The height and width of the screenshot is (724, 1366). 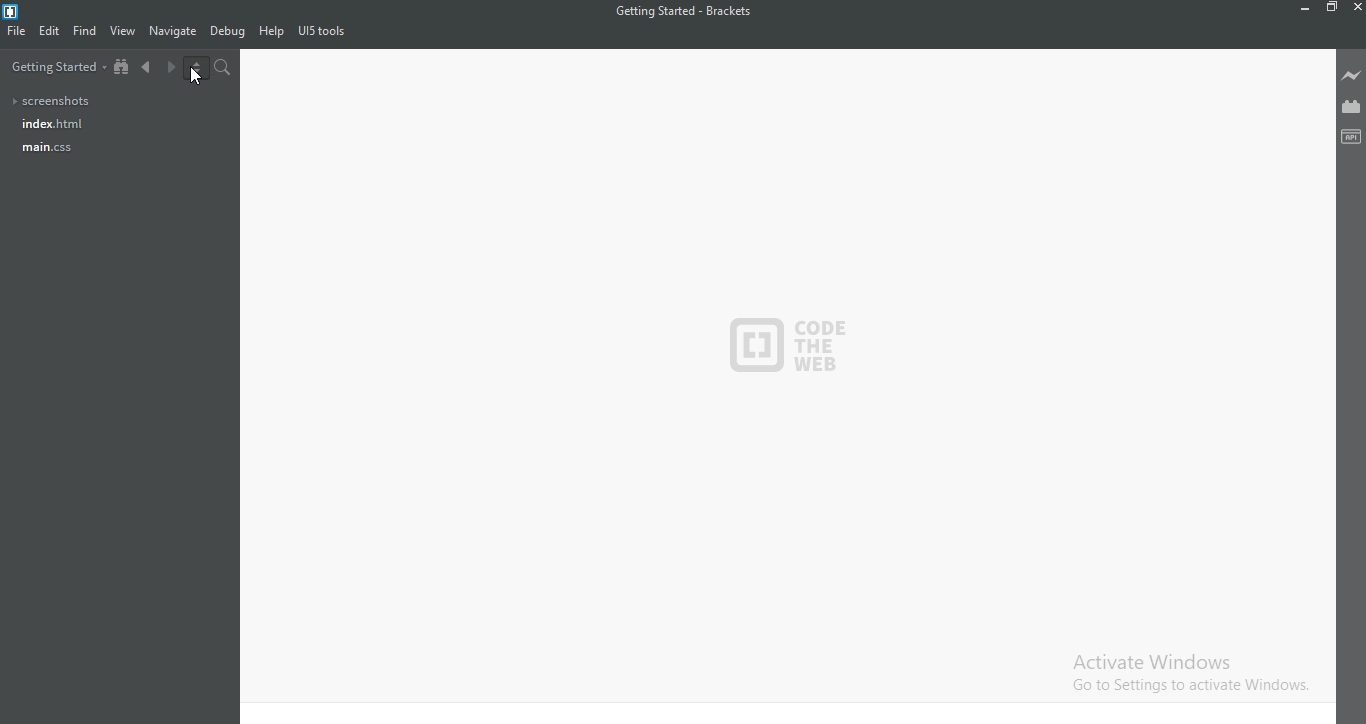 I want to click on Screenshots, so click(x=54, y=102).